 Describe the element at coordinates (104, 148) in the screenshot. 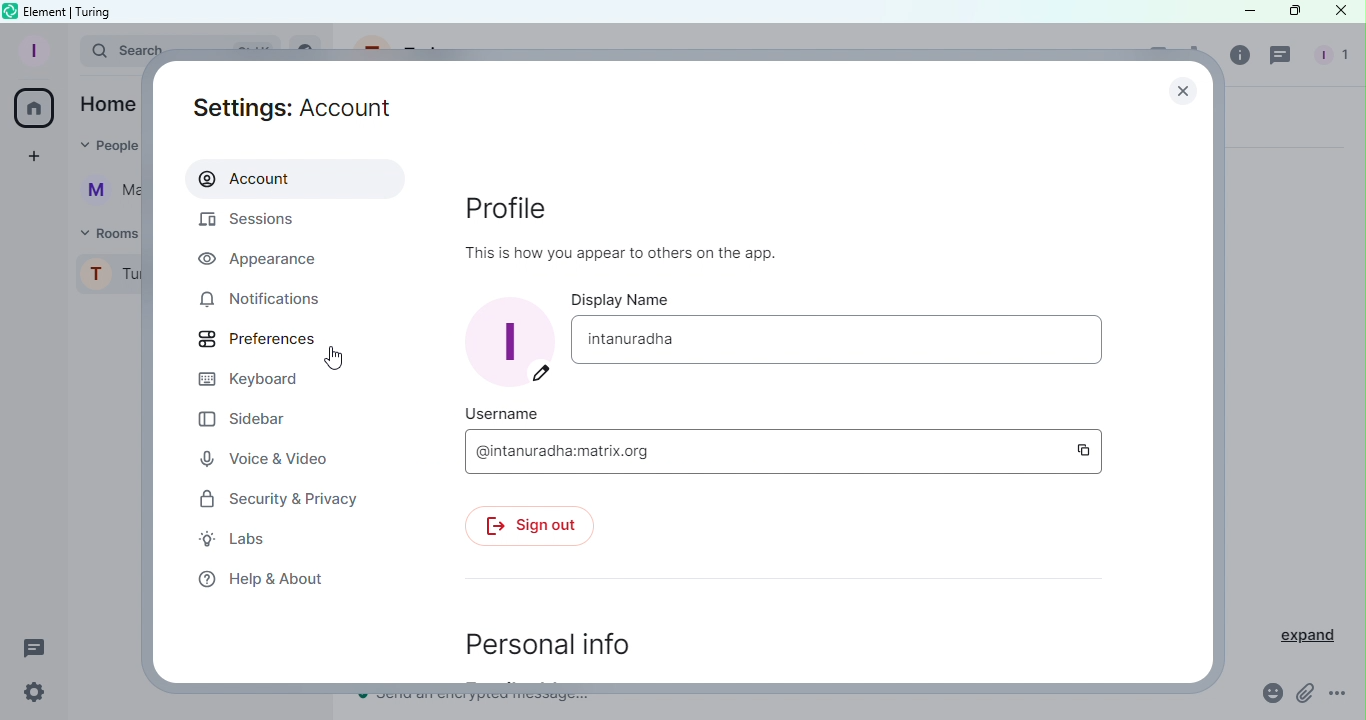

I see `People` at that location.